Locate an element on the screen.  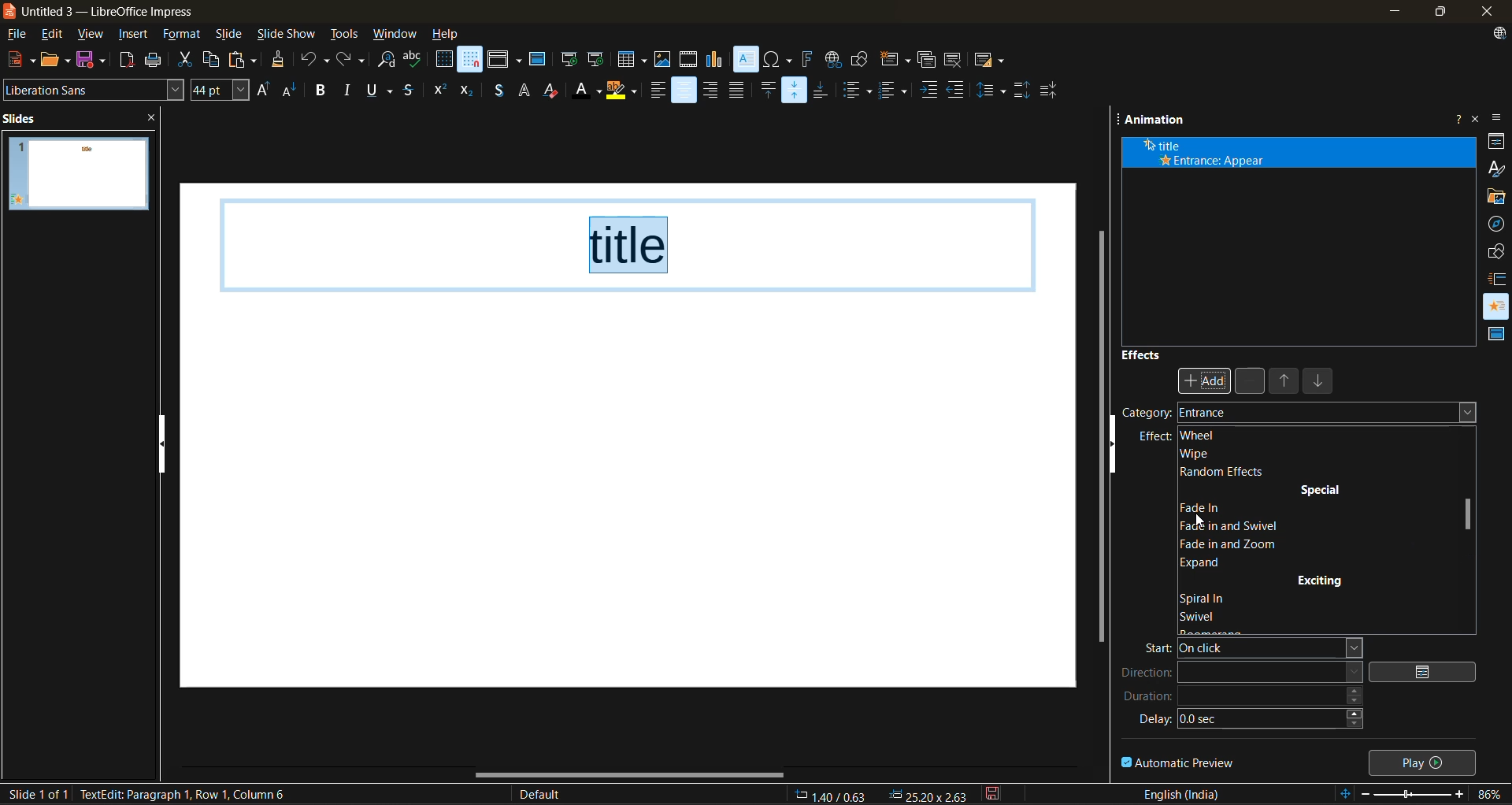
properties is located at coordinates (1497, 140).